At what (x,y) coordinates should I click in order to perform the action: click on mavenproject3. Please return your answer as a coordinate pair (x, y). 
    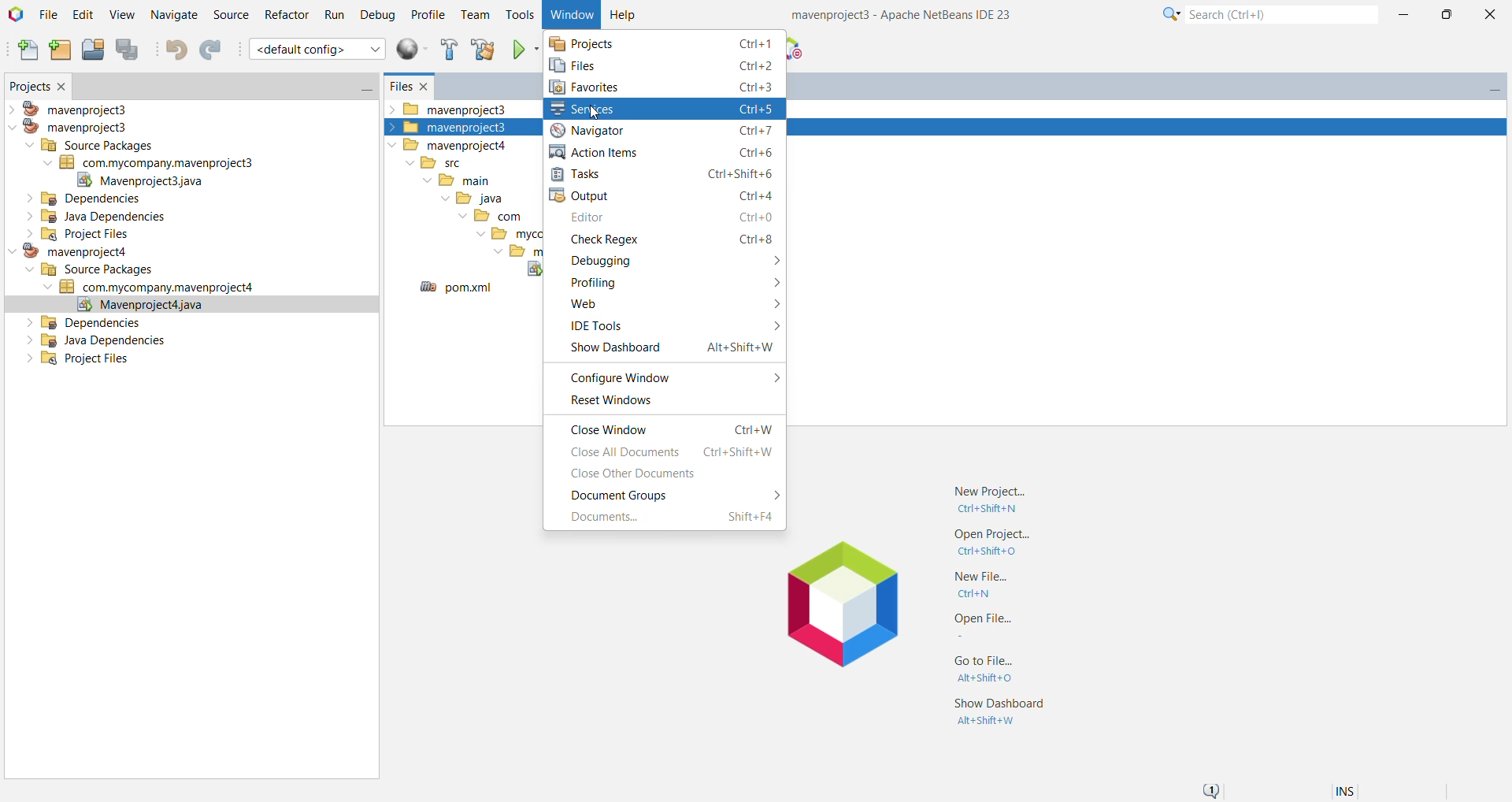
    Looking at the image, I should click on (73, 108).